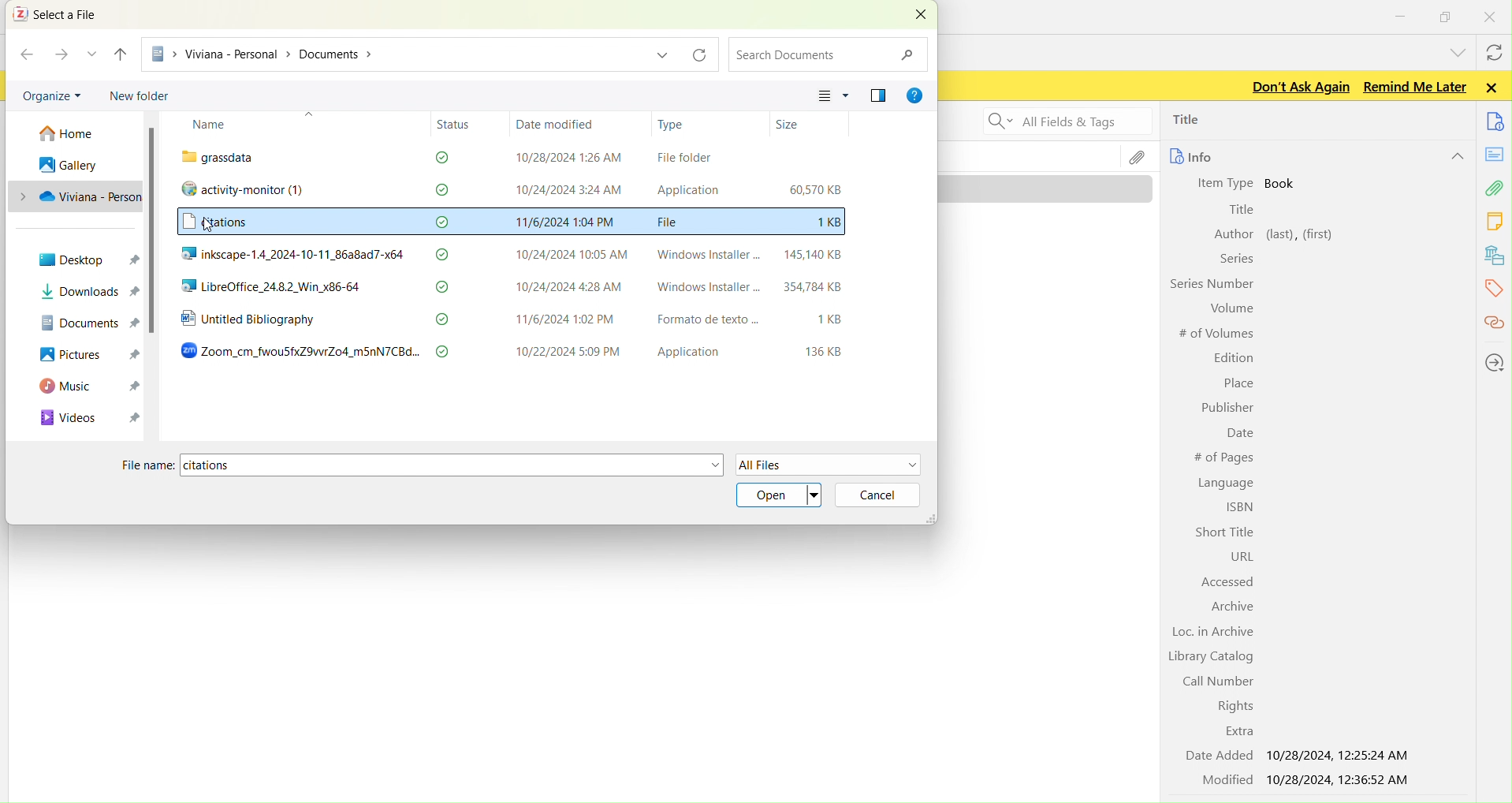 The height and width of the screenshot is (803, 1512). What do you see at coordinates (1341, 781) in the screenshot?
I see ` 10/28/2024, 12:36:52 AM` at bounding box center [1341, 781].